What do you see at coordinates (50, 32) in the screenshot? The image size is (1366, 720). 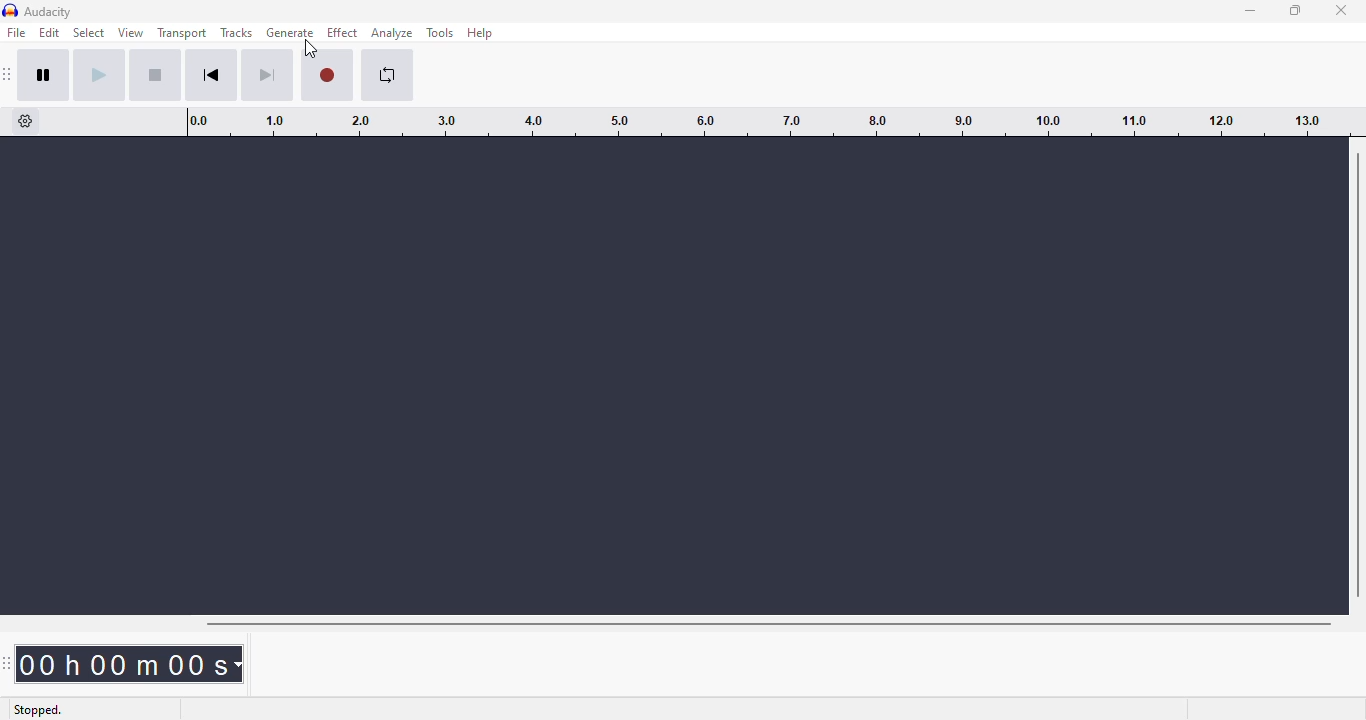 I see `edit` at bounding box center [50, 32].